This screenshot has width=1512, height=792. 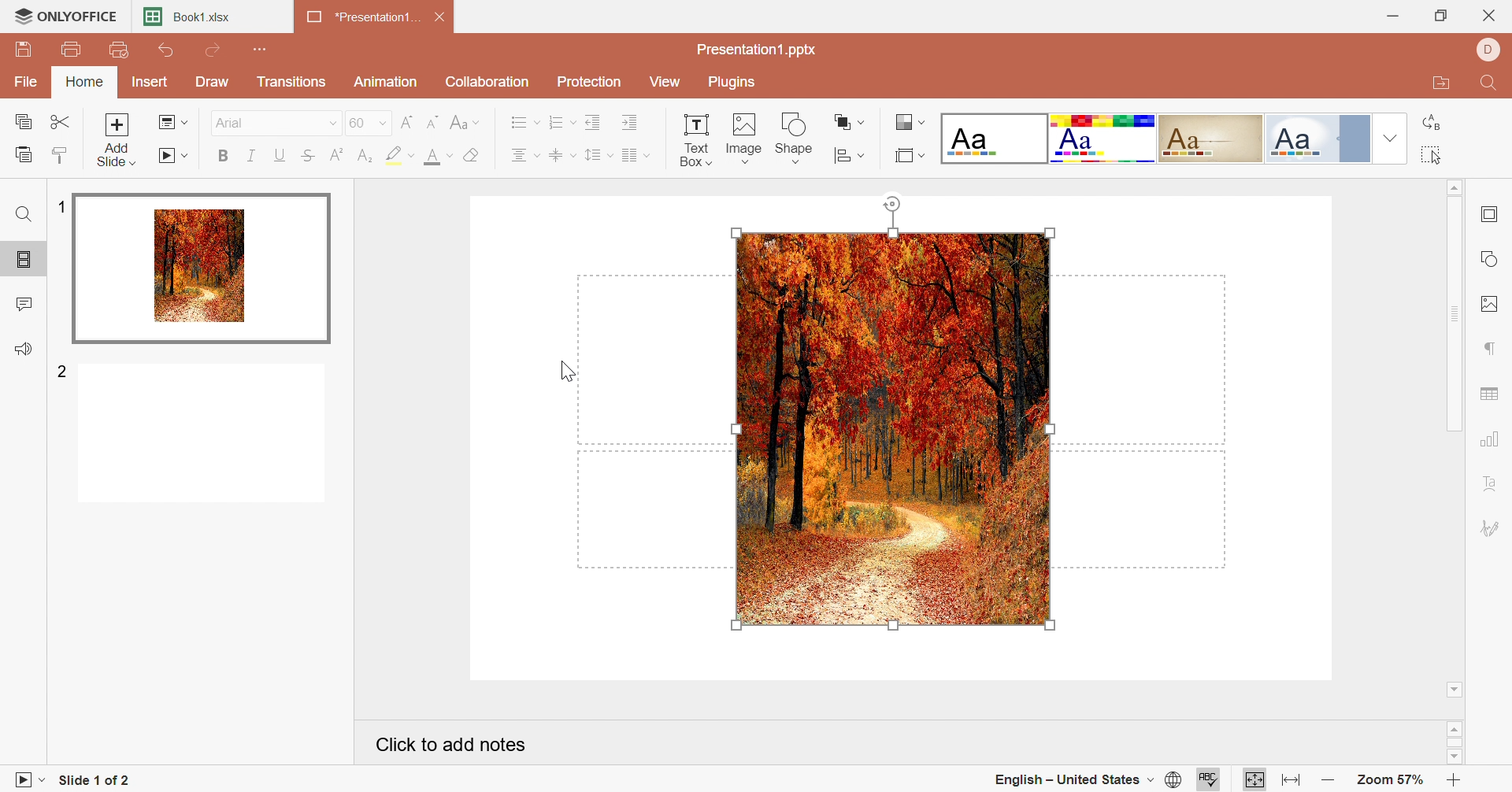 What do you see at coordinates (24, 261) in the screenshot?
I see `Slides` at bounding box center [24, 261].